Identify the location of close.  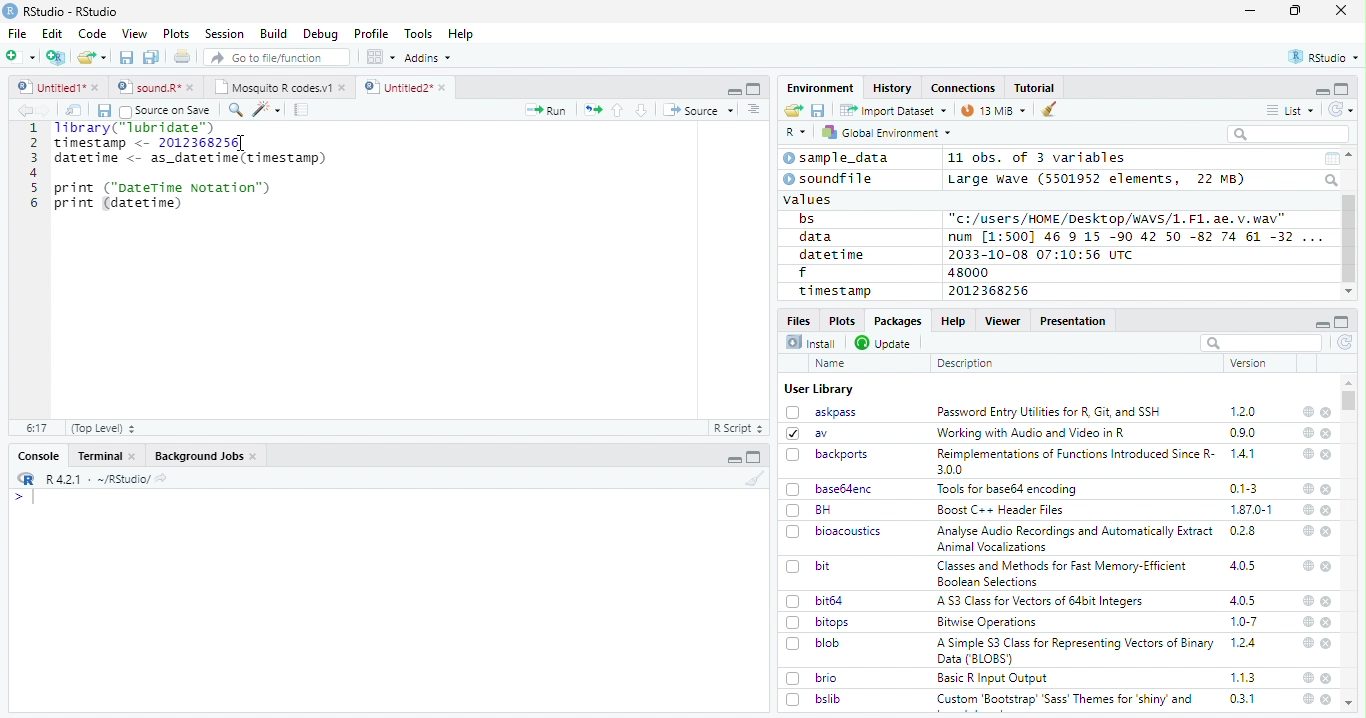
(1326, 699).